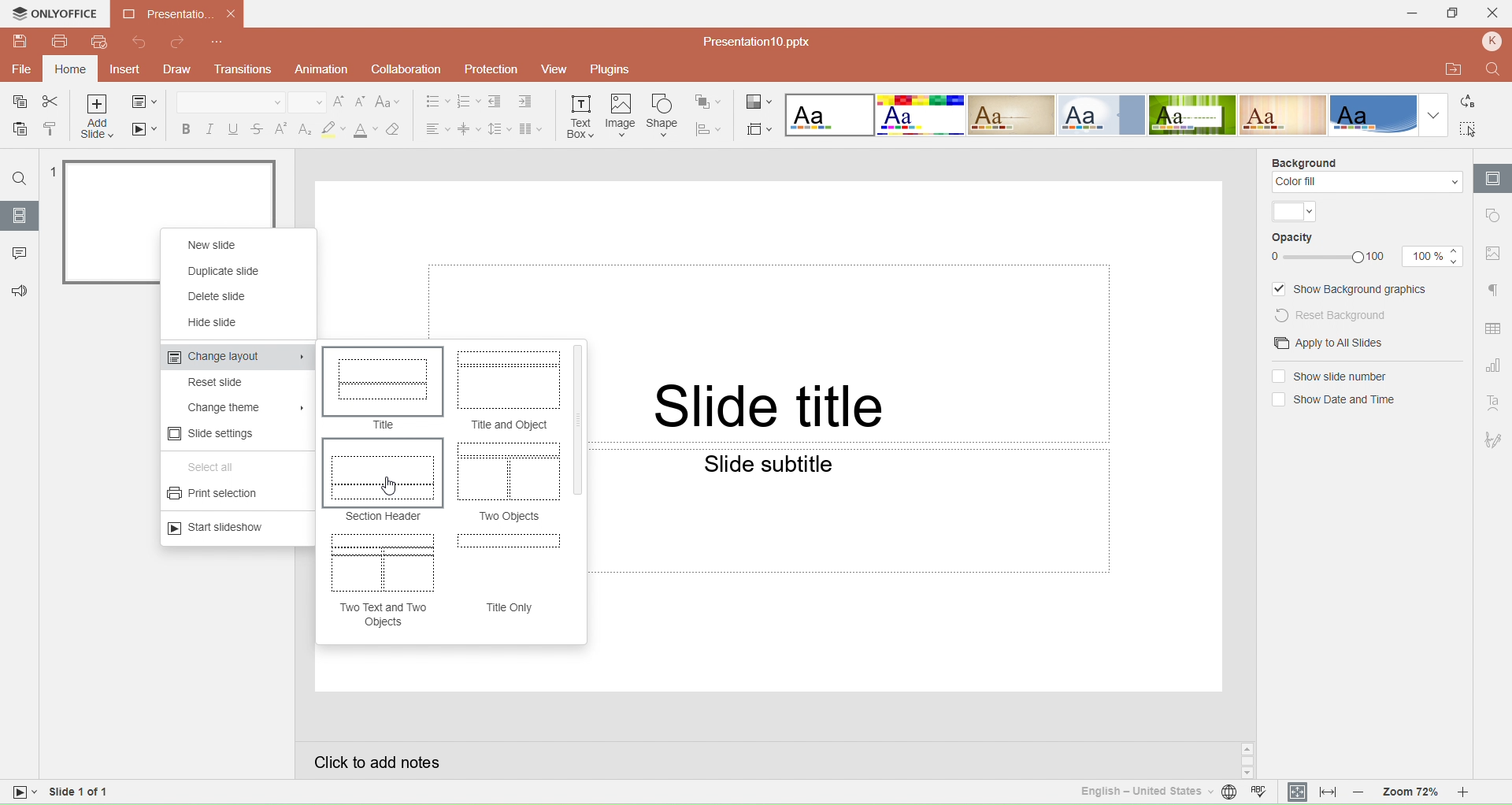 The width and height of the screenshot is (1512, 805). Describe the element at coordinates (1366, 183) in the screenshot. I see `Color fill` at that location.